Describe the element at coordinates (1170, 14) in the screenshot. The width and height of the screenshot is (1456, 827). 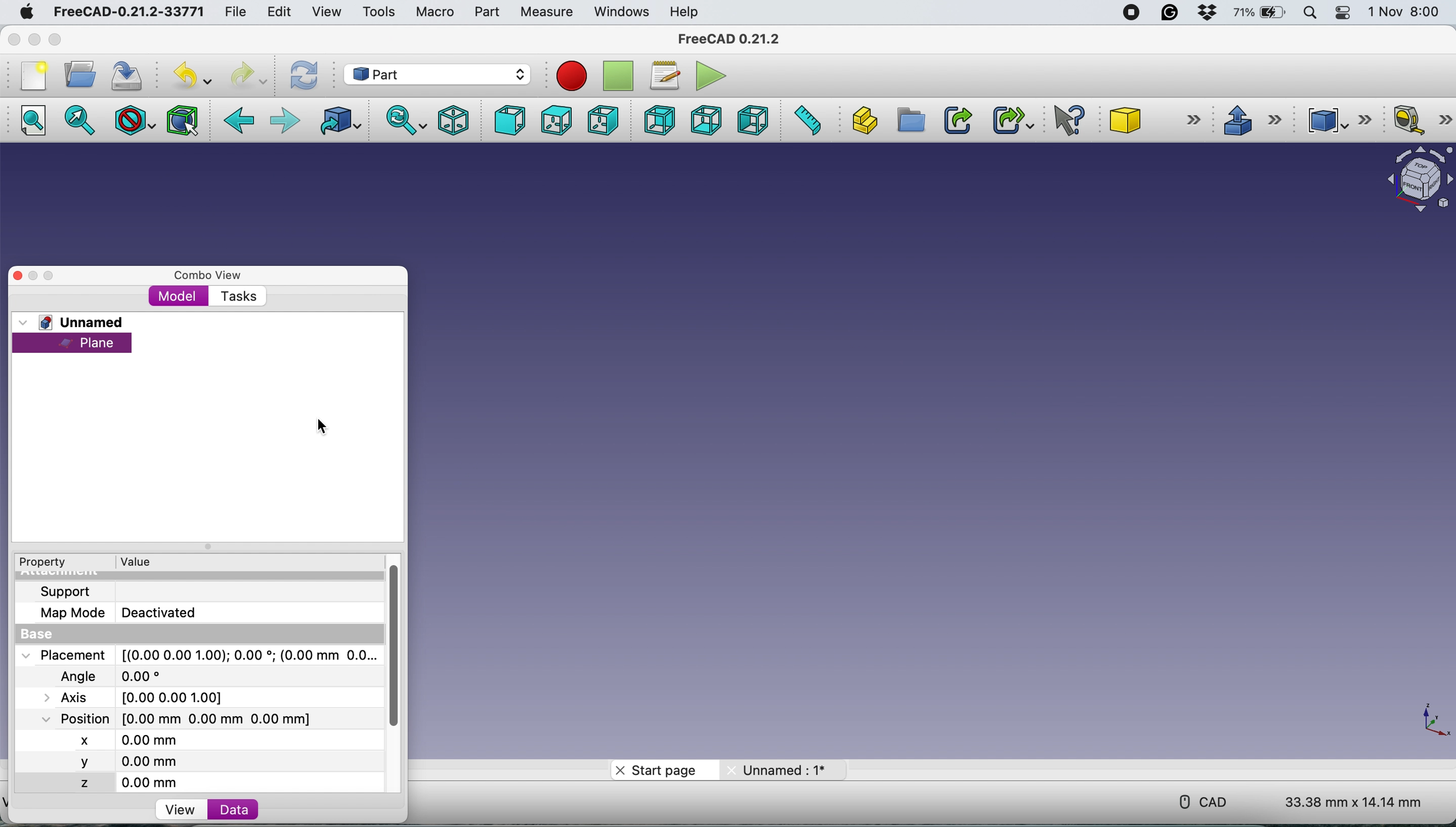
I see `grammarly` at that location.